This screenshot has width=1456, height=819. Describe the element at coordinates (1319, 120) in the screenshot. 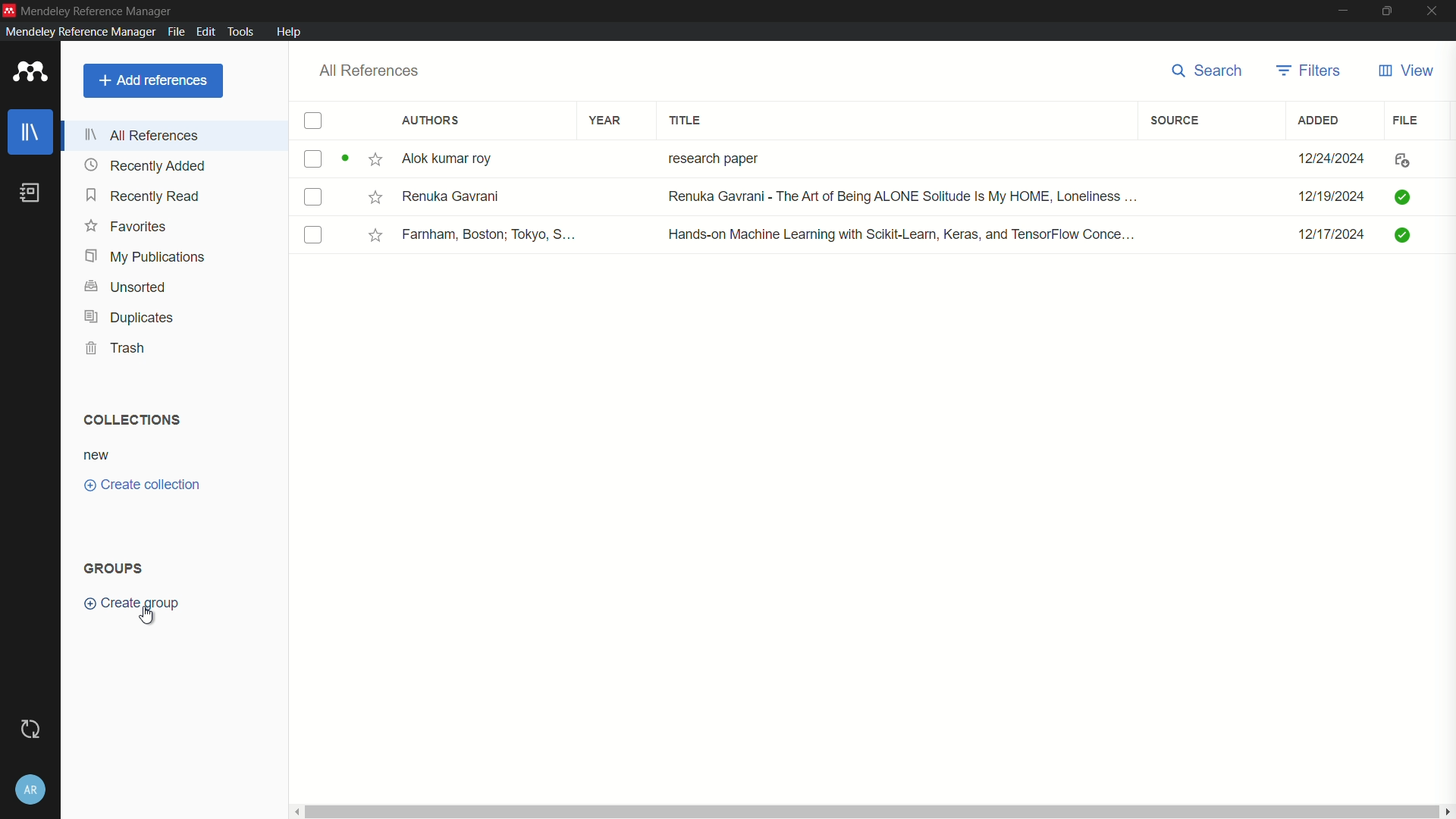

I see `added` at that location.